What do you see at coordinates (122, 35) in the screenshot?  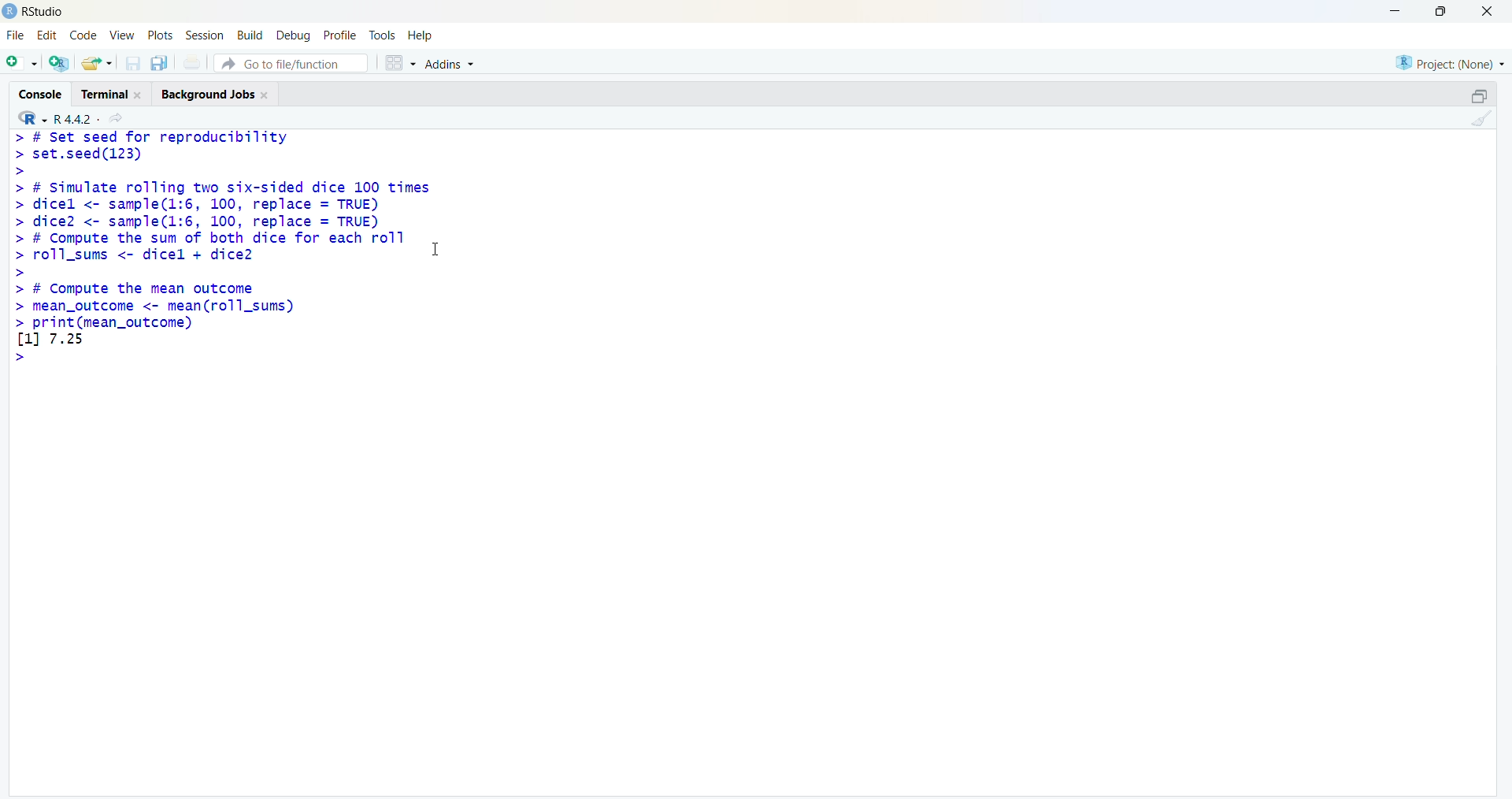 I see `view` at bounding box center [122, 35].